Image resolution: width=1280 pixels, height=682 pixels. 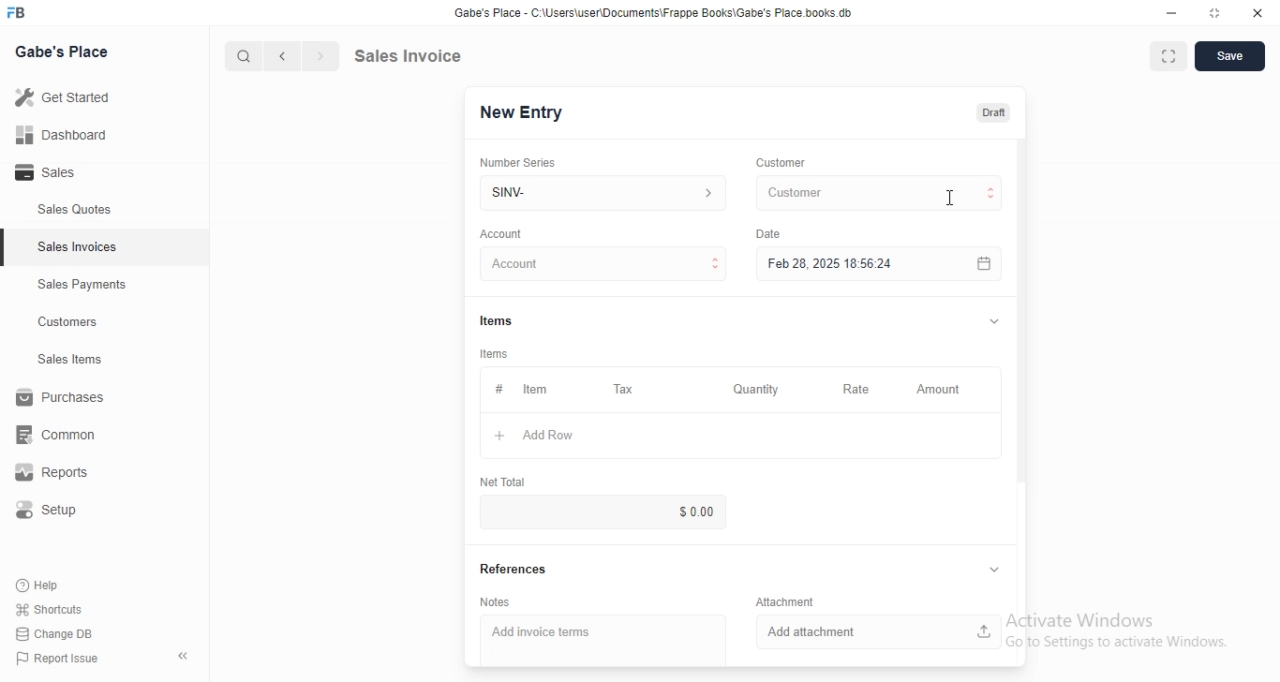 What do you see at coordinates (602, 191) in the screenshot?
I see `SINV-` at bounding box center [602, 191].